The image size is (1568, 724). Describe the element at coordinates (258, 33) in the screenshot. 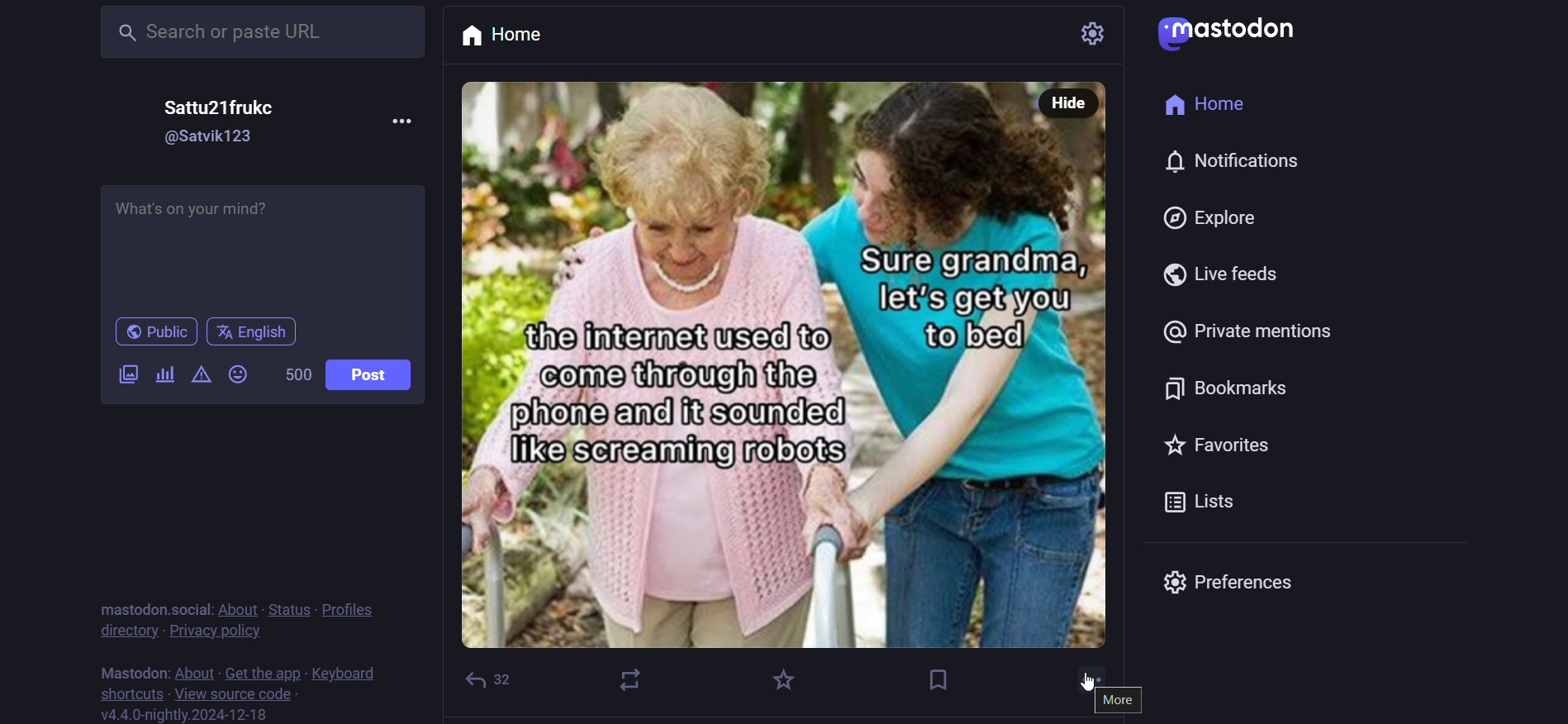

I see `search bar` at that location.